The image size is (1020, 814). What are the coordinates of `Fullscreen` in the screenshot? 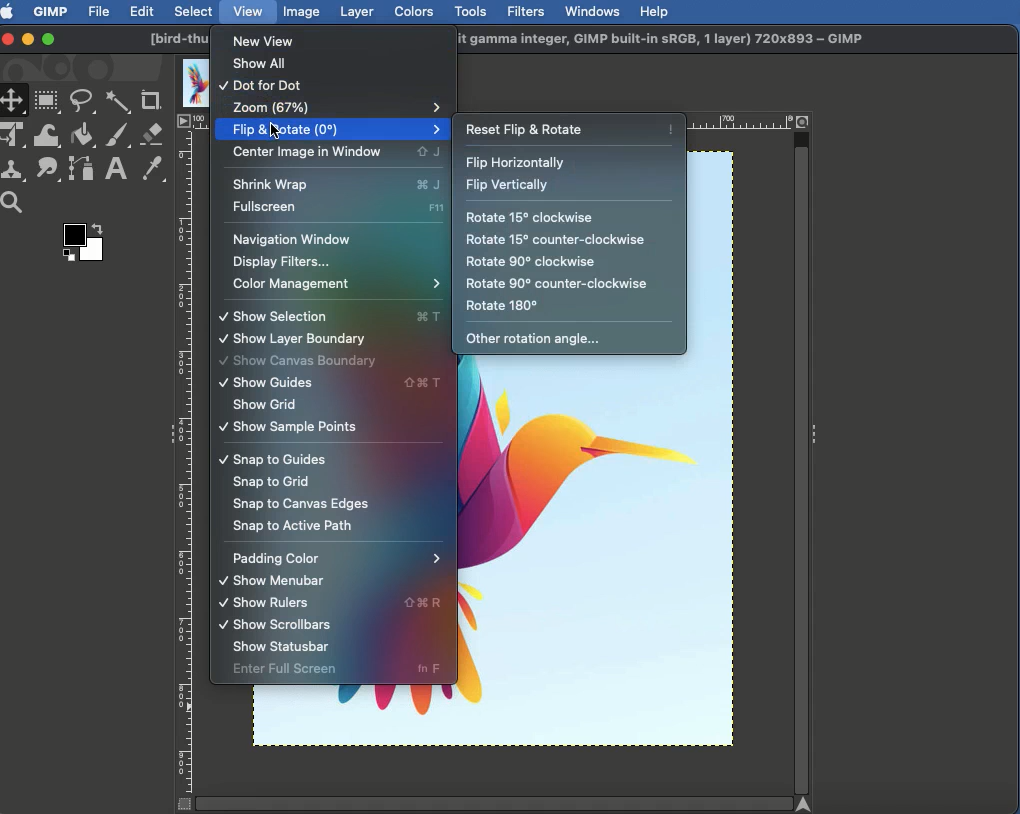 It's located at (309, 209).